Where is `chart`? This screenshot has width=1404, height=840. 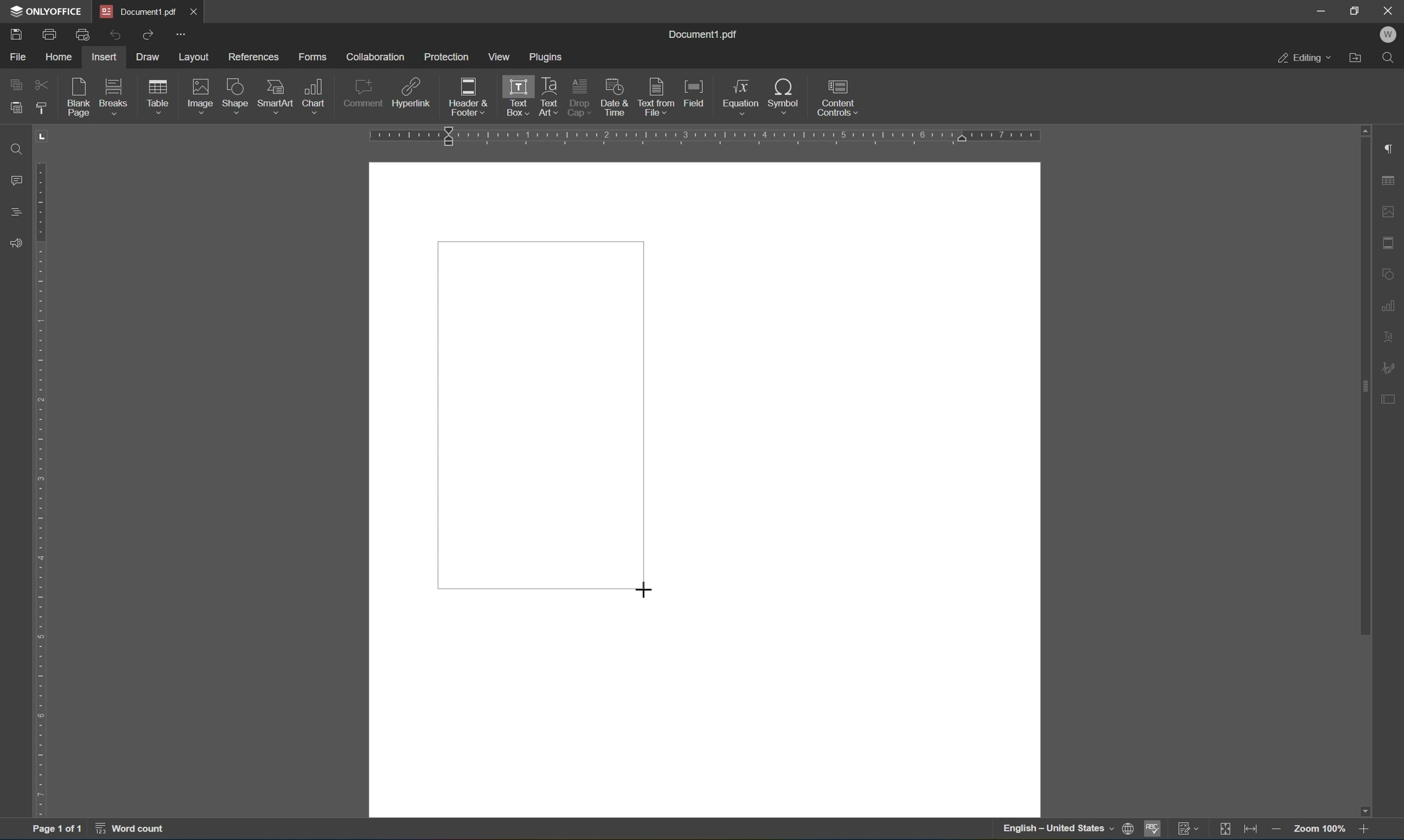
chart is located at coordinates (314, 96).